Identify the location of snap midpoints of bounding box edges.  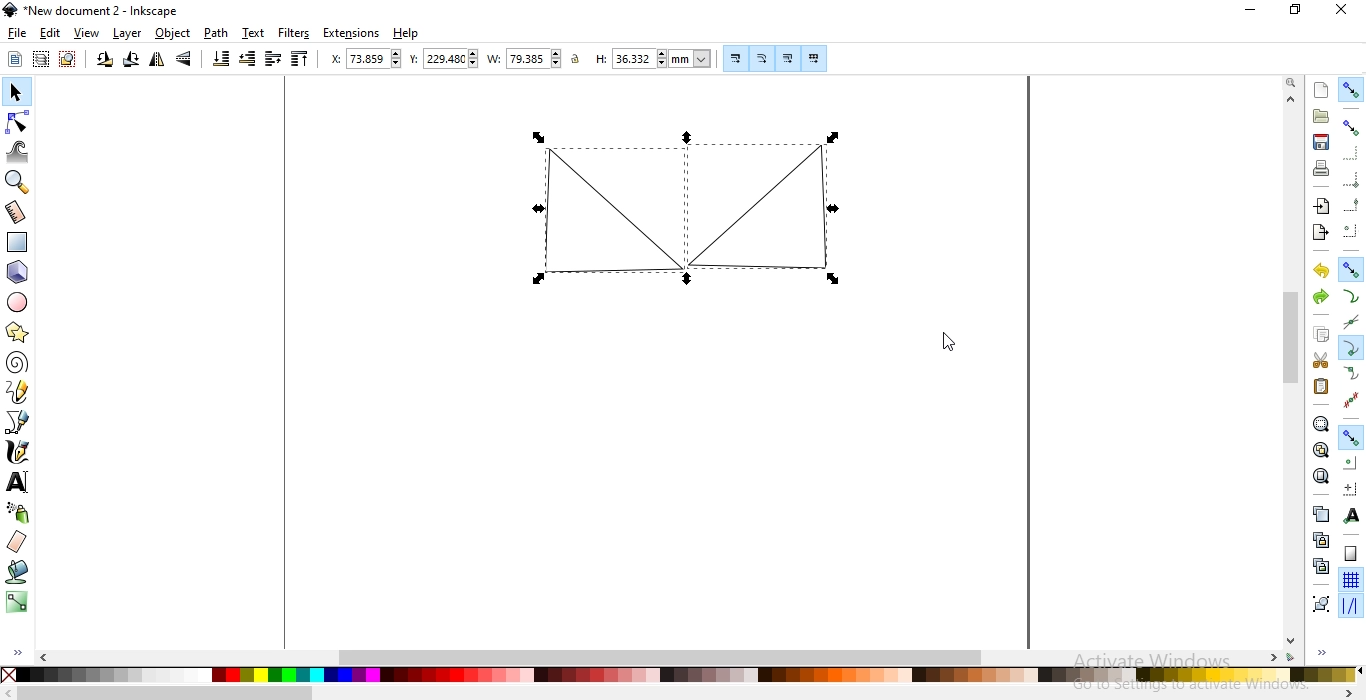
(1352, 203).